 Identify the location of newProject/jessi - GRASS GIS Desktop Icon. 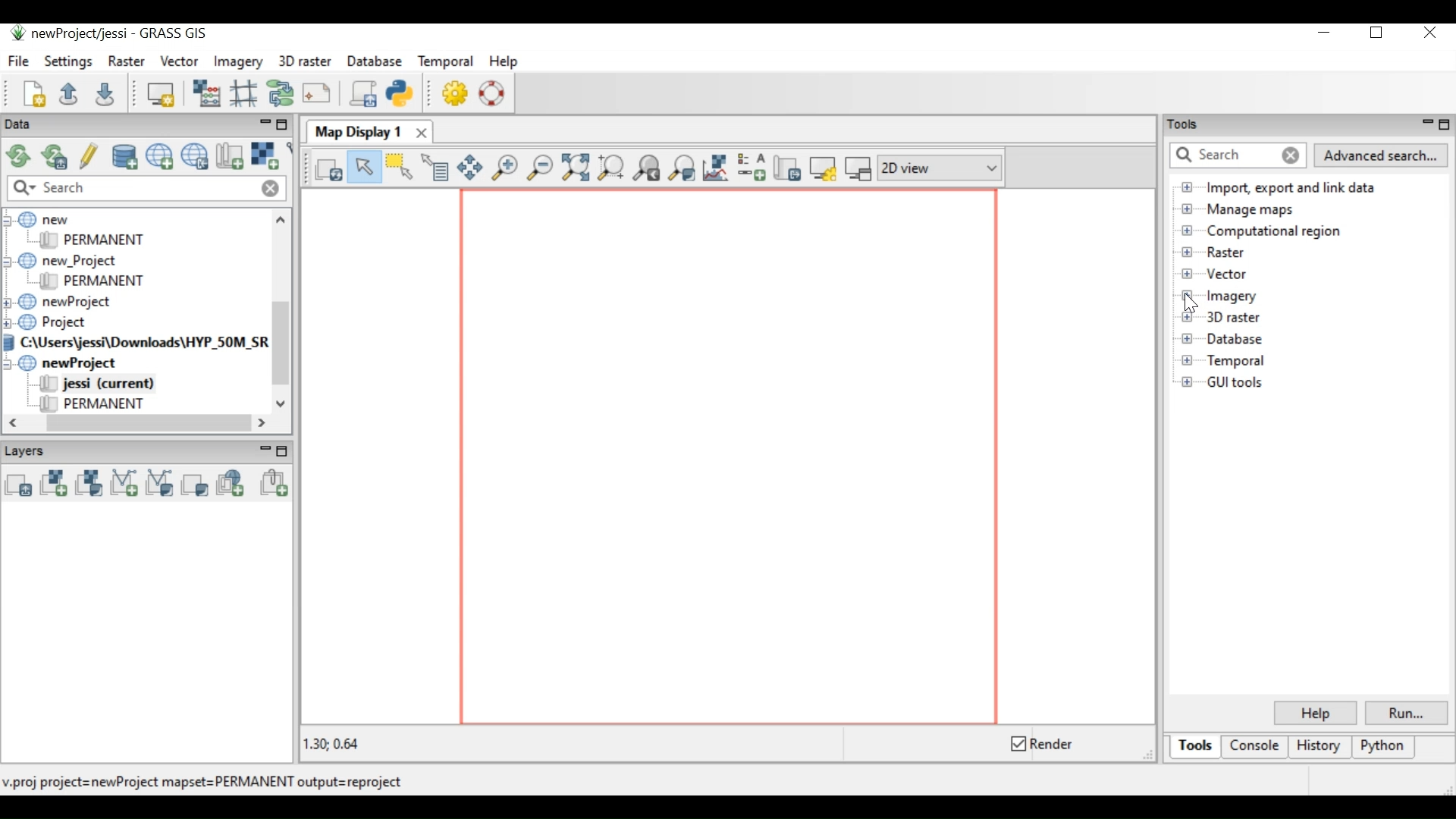
(111, 32).